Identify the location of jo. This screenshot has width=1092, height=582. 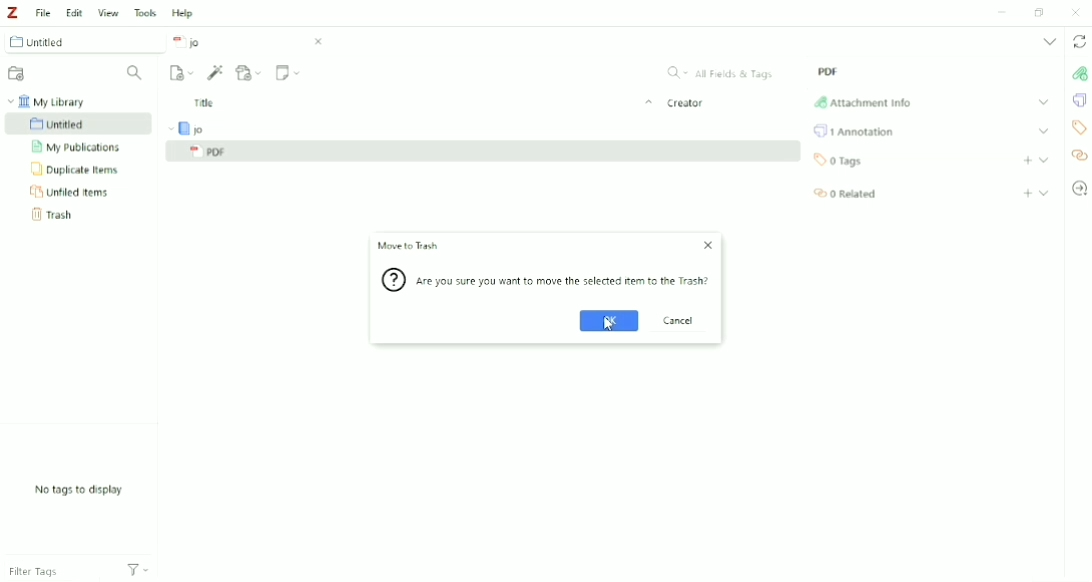
(248, 42).